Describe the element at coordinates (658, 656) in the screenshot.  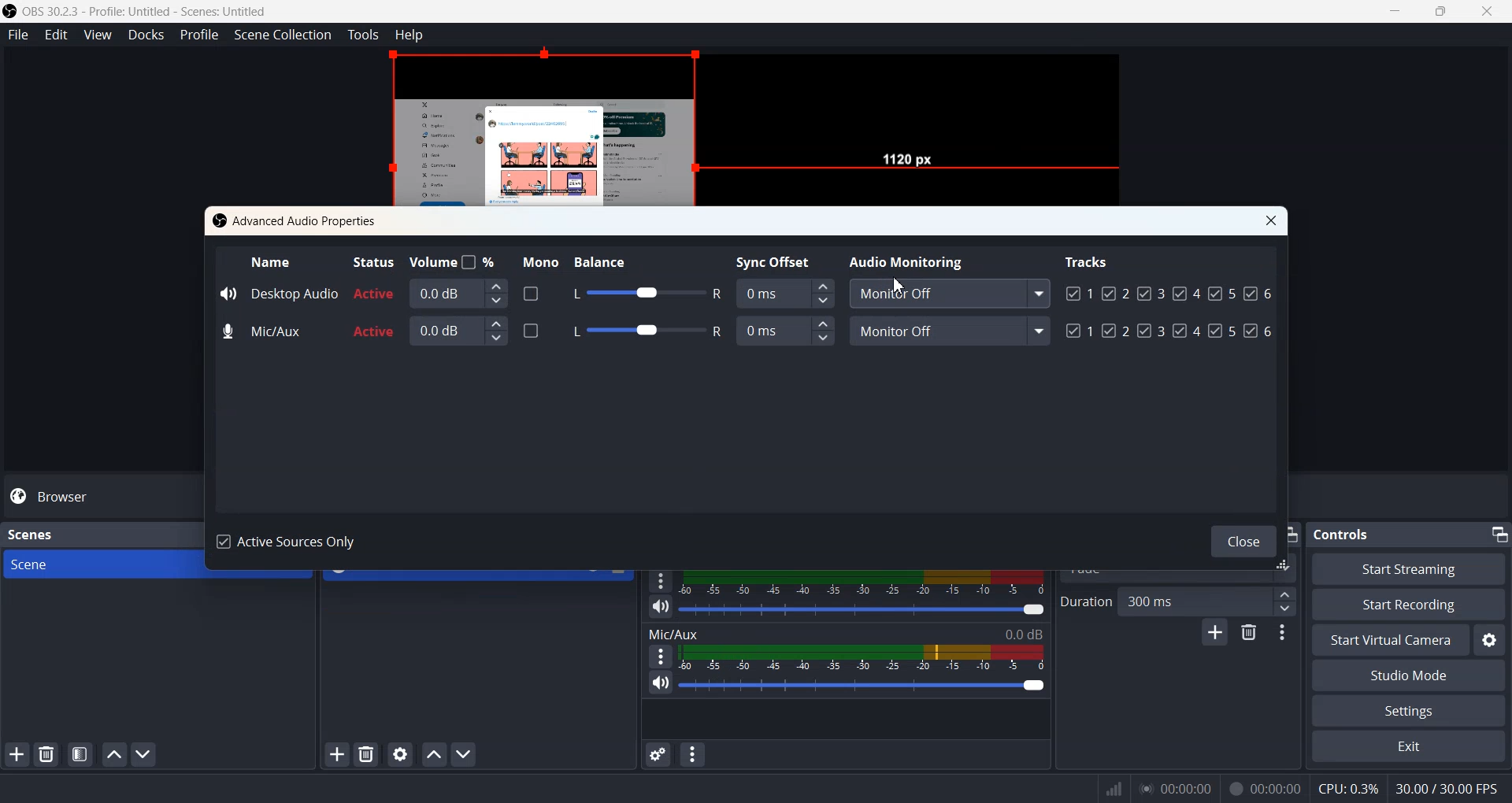
I see `More` at that location.